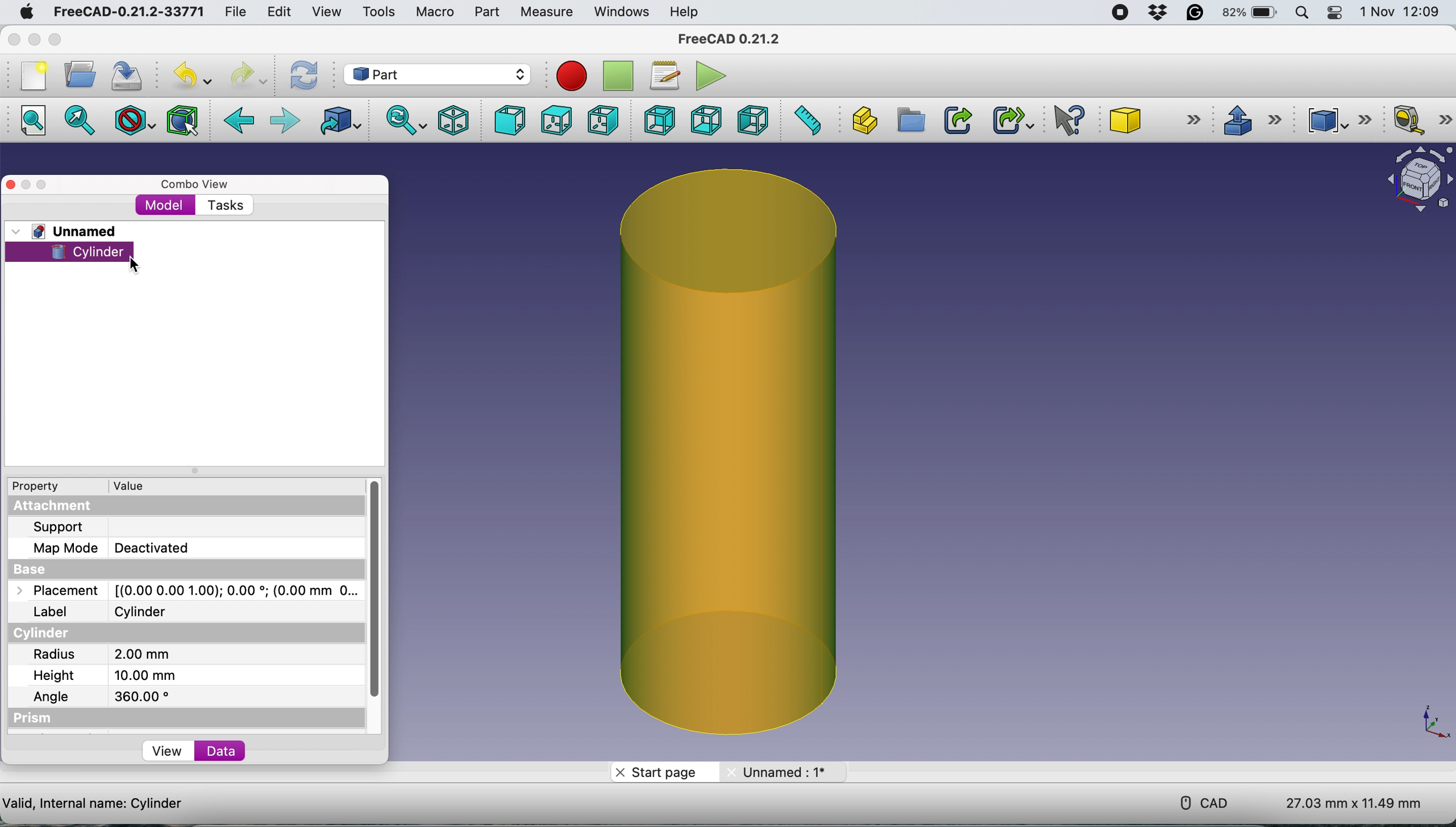 This screenshot has width=1456, height=827. What do you see at coordinates (26, 187) in the screenshot?
I see `minimise` at bounding box center [26, 187].